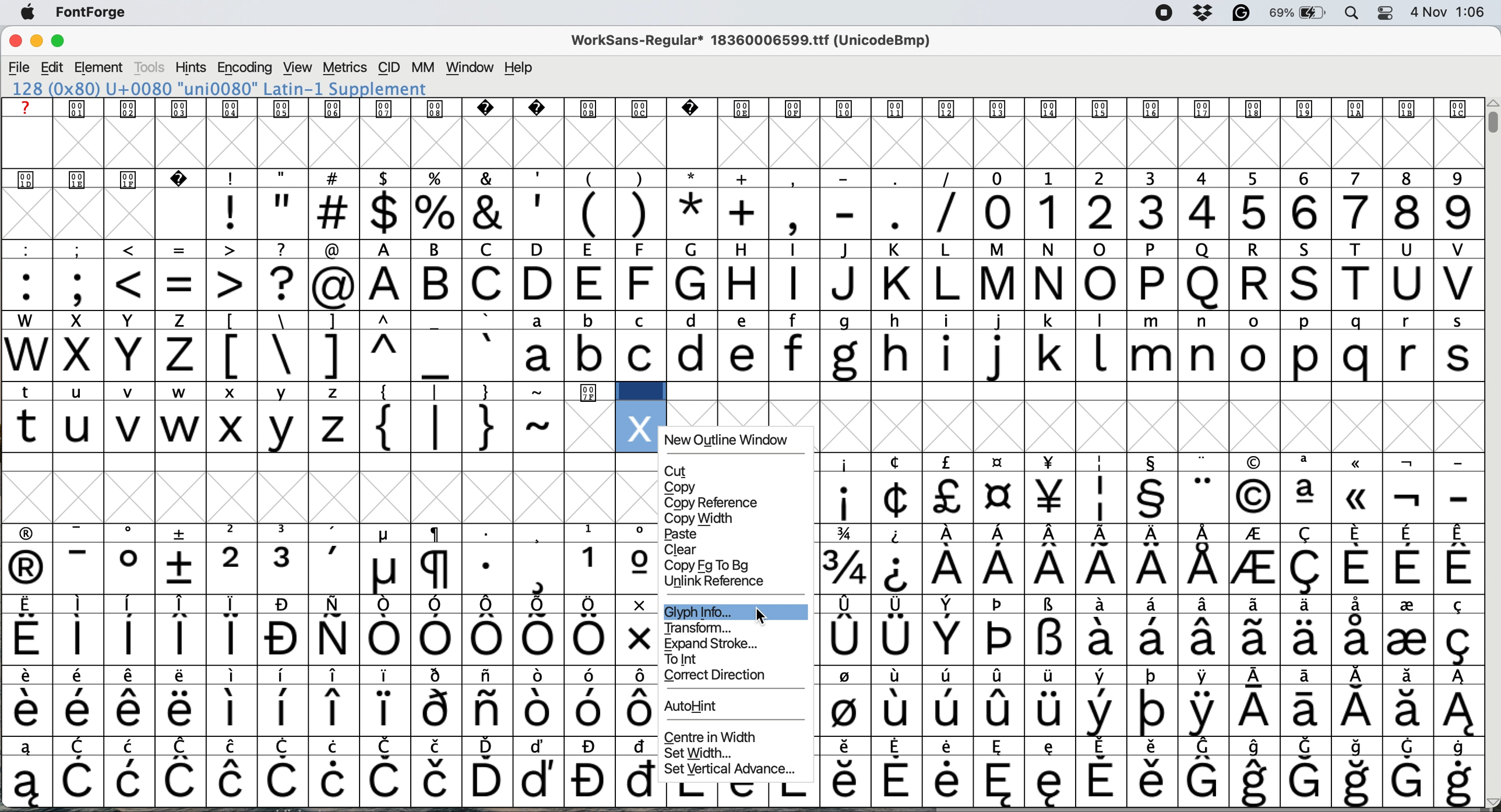 Image resolution: width=1501 pixels, height=812 pixels. I want to click on grammarly, so click(1239, 13).